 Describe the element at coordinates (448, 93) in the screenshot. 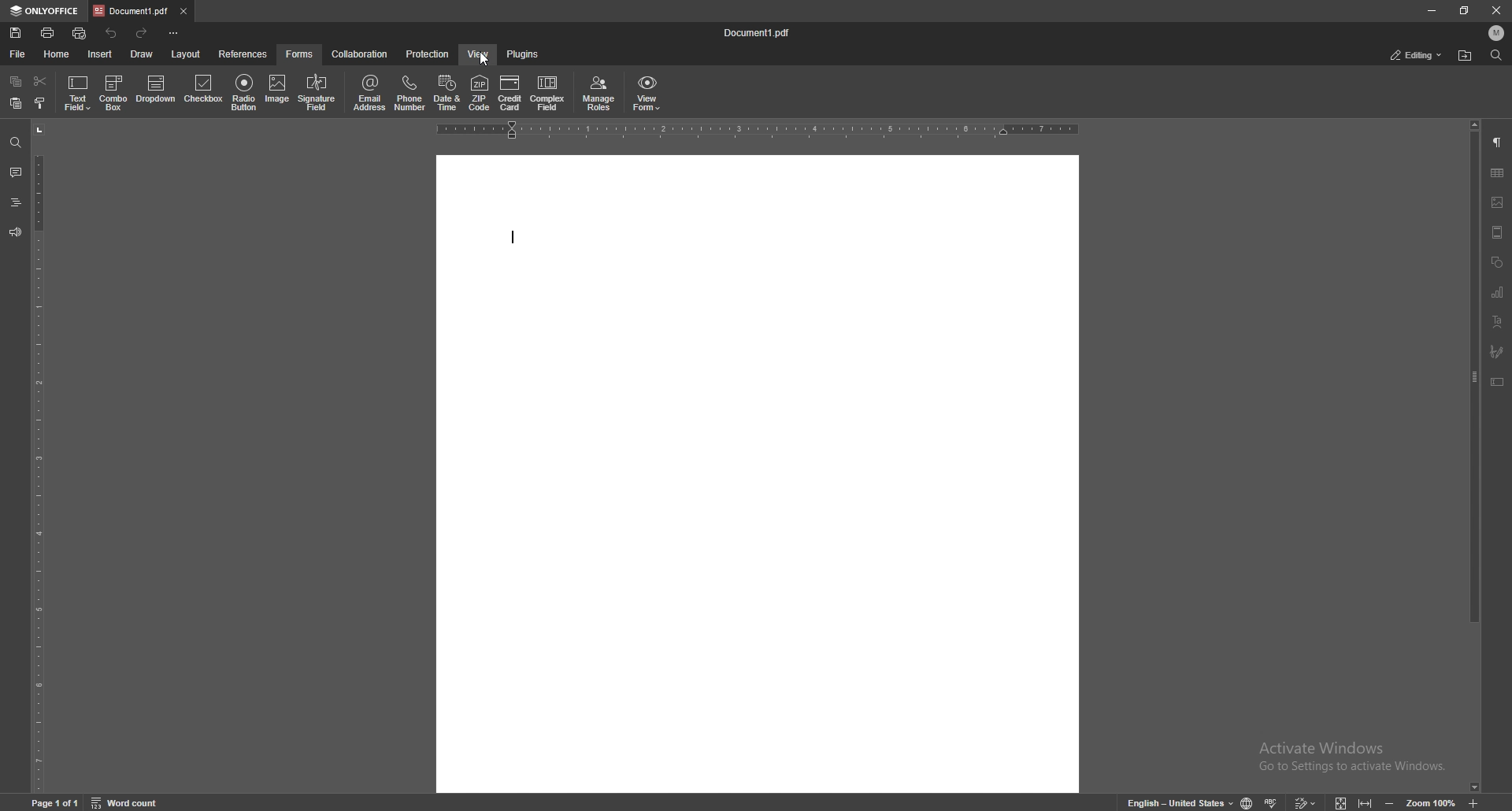

I see `date and time` at that location.